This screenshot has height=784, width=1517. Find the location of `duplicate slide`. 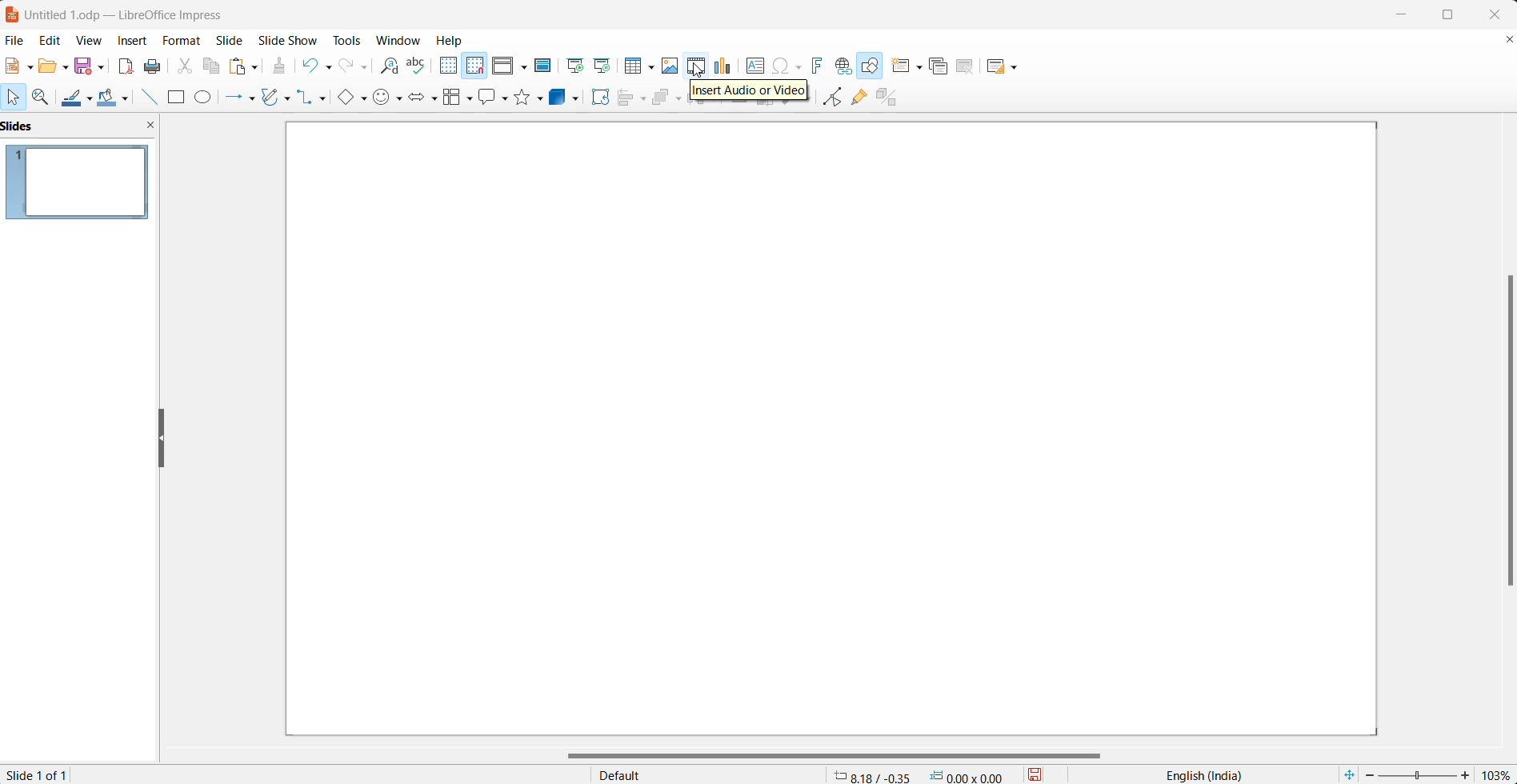

duplicate slide is located at coordinates (943, 65).